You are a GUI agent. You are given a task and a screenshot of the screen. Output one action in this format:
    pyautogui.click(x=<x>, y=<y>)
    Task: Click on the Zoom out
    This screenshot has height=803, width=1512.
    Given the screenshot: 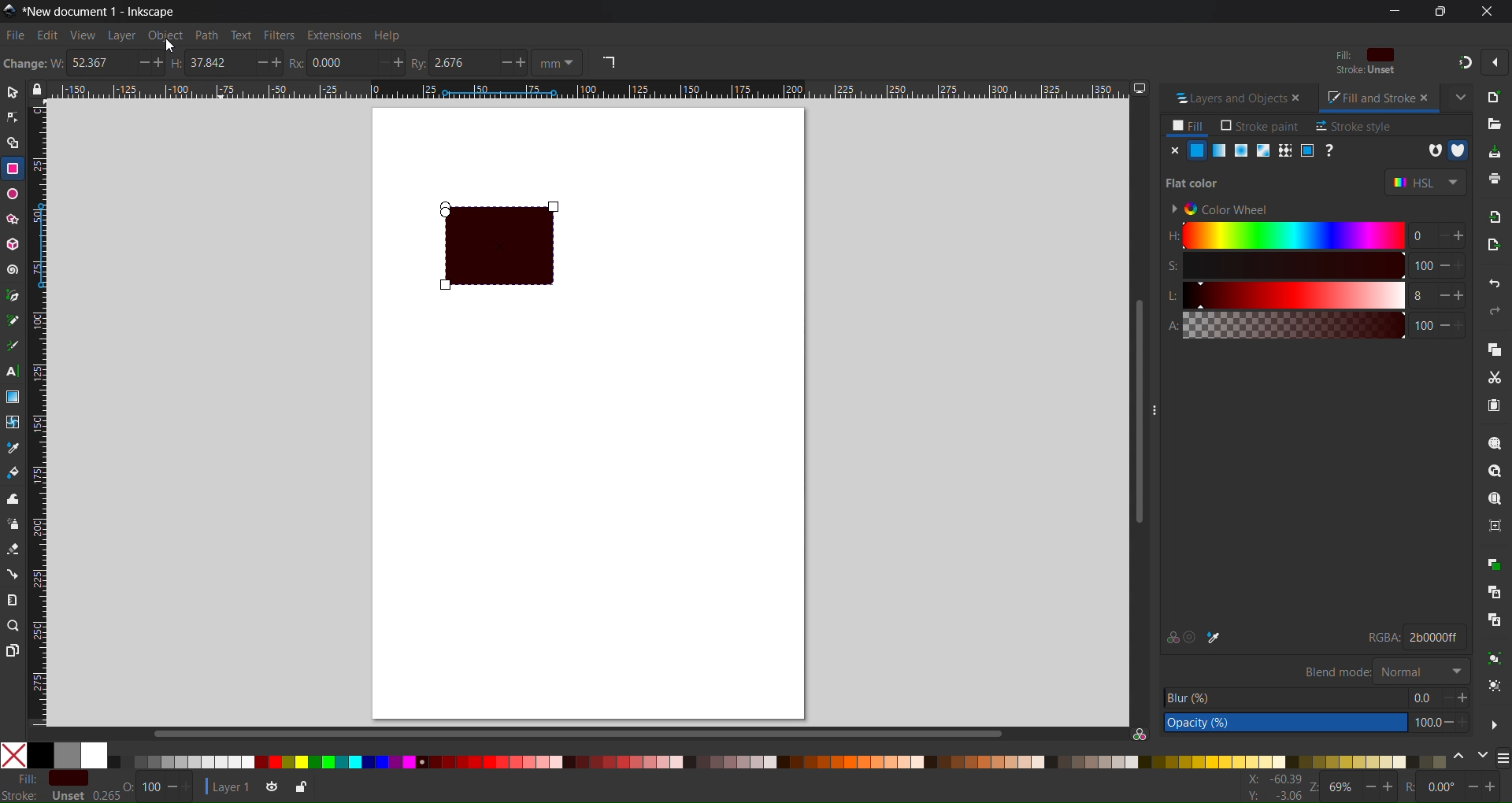 What is the action you would take?
    pyautogui.click(x=1371, y=787)
    